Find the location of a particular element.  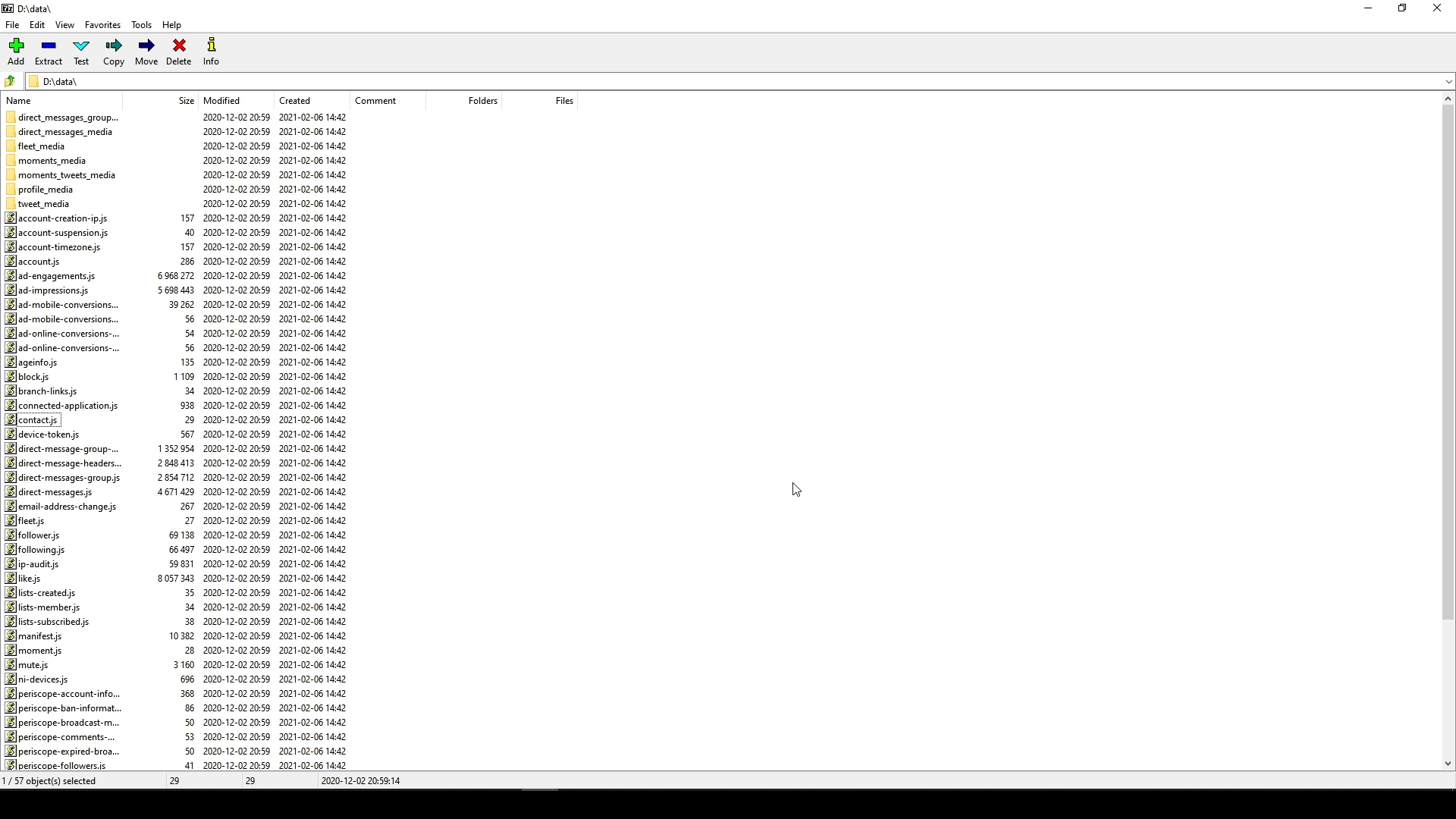

folder is located at coordinates (11, 79).